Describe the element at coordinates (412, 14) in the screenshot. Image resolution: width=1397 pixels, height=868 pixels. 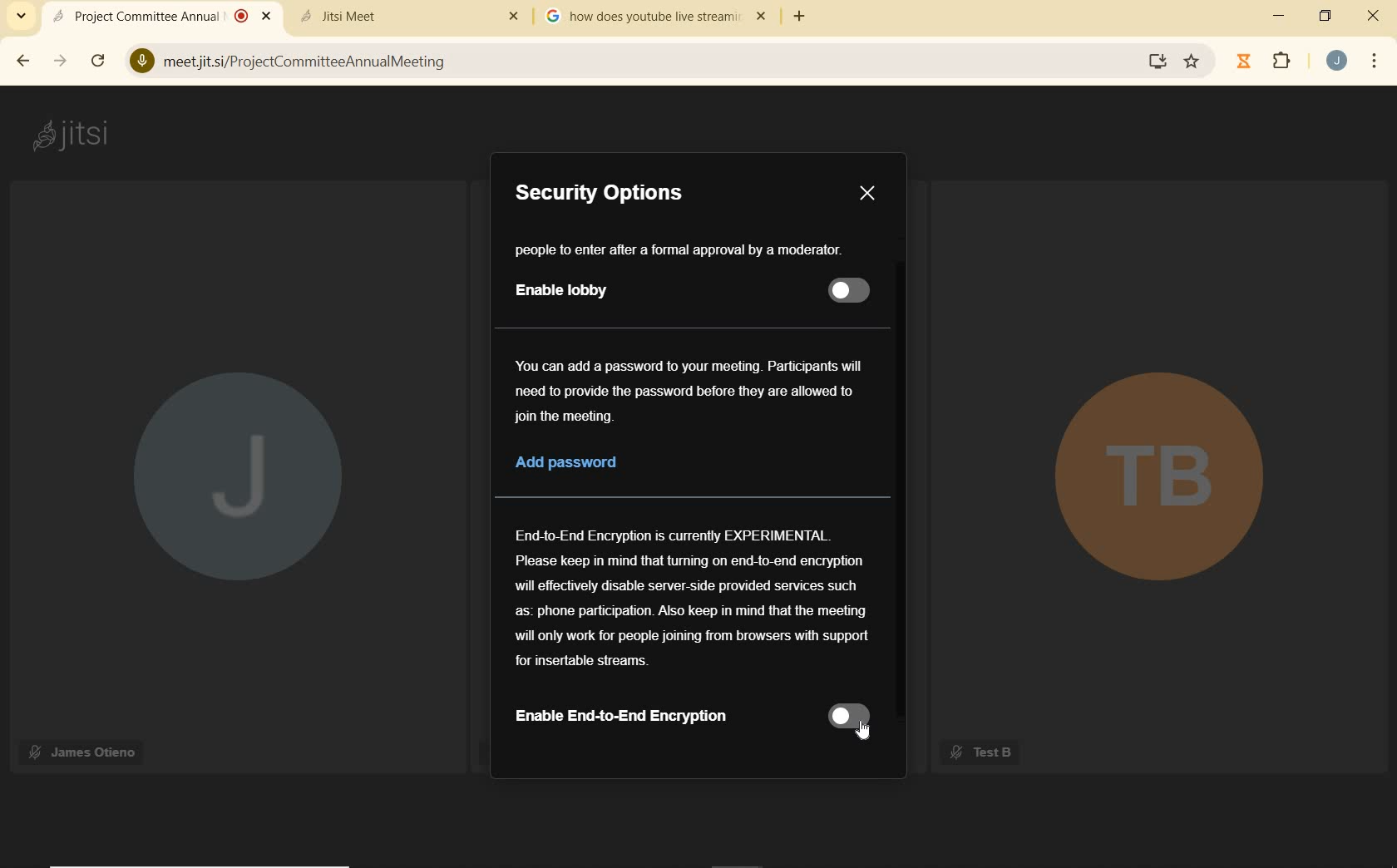
I see `Jitsi Meet` at that location.